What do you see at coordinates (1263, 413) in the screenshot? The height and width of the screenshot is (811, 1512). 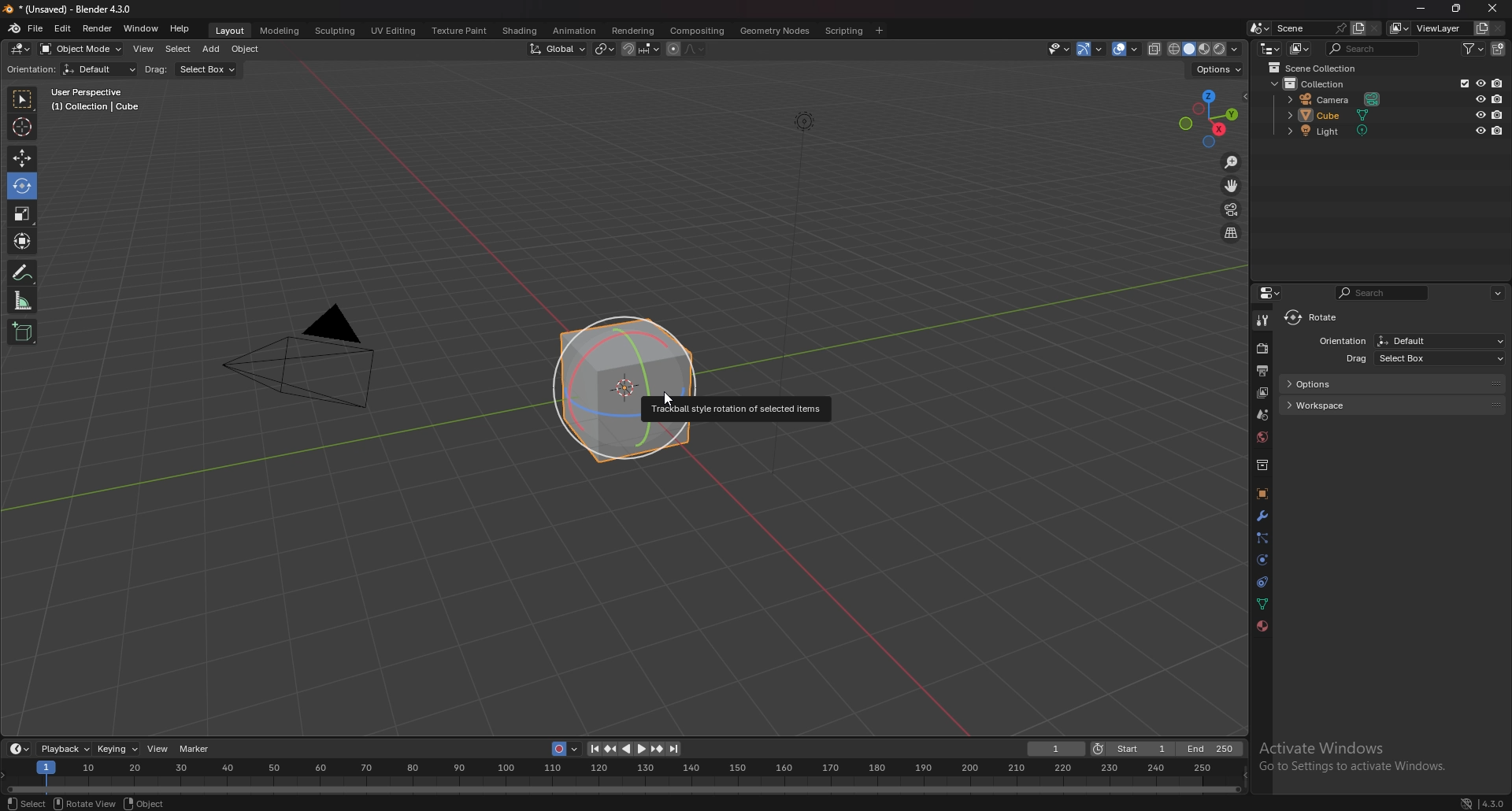 I see `scene` at bounding box center [1263, 413].